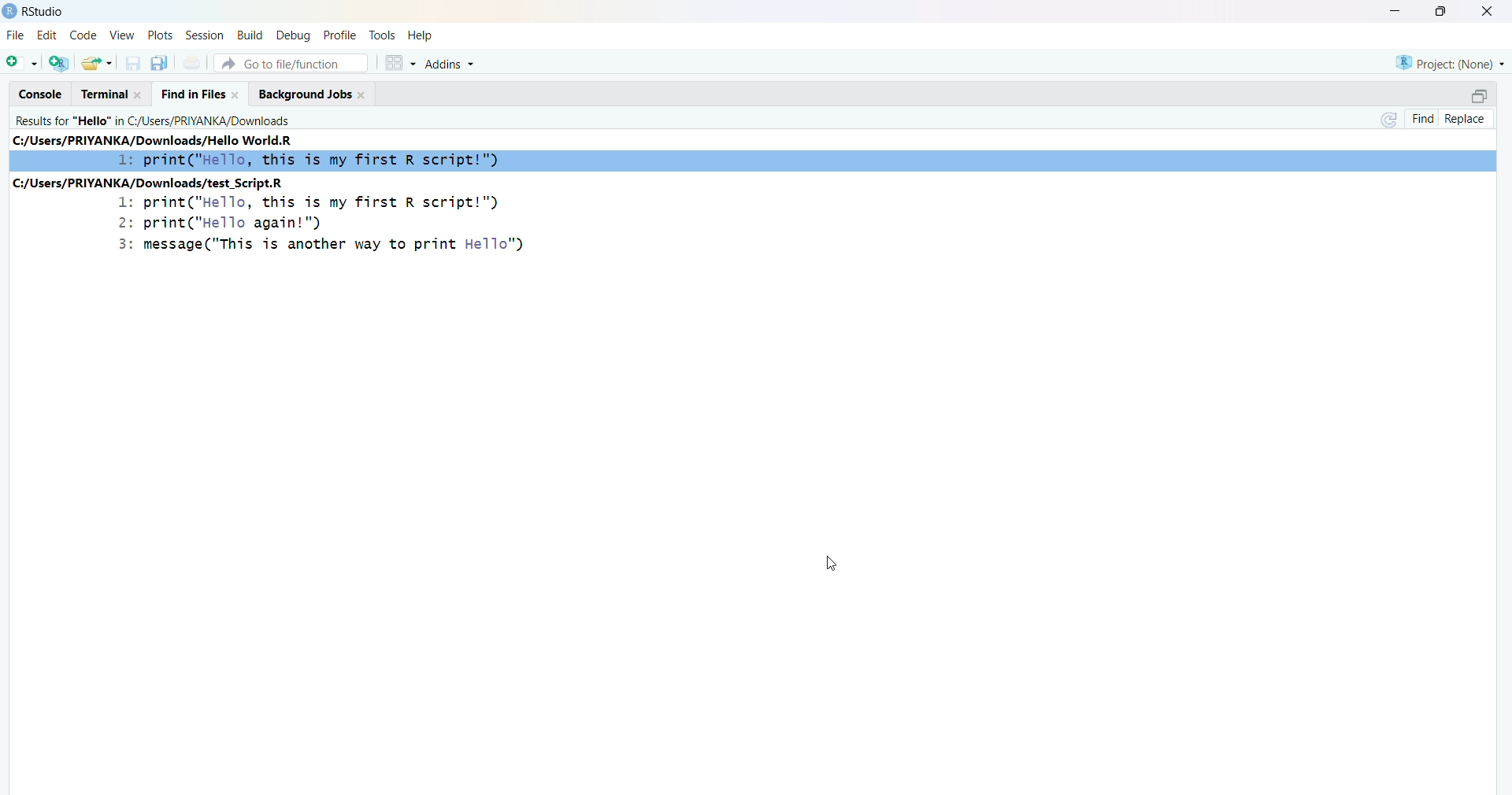  I want to click on C:/Users/PRIYANKA/Downloads/Hello World.R, so click(154, 140).